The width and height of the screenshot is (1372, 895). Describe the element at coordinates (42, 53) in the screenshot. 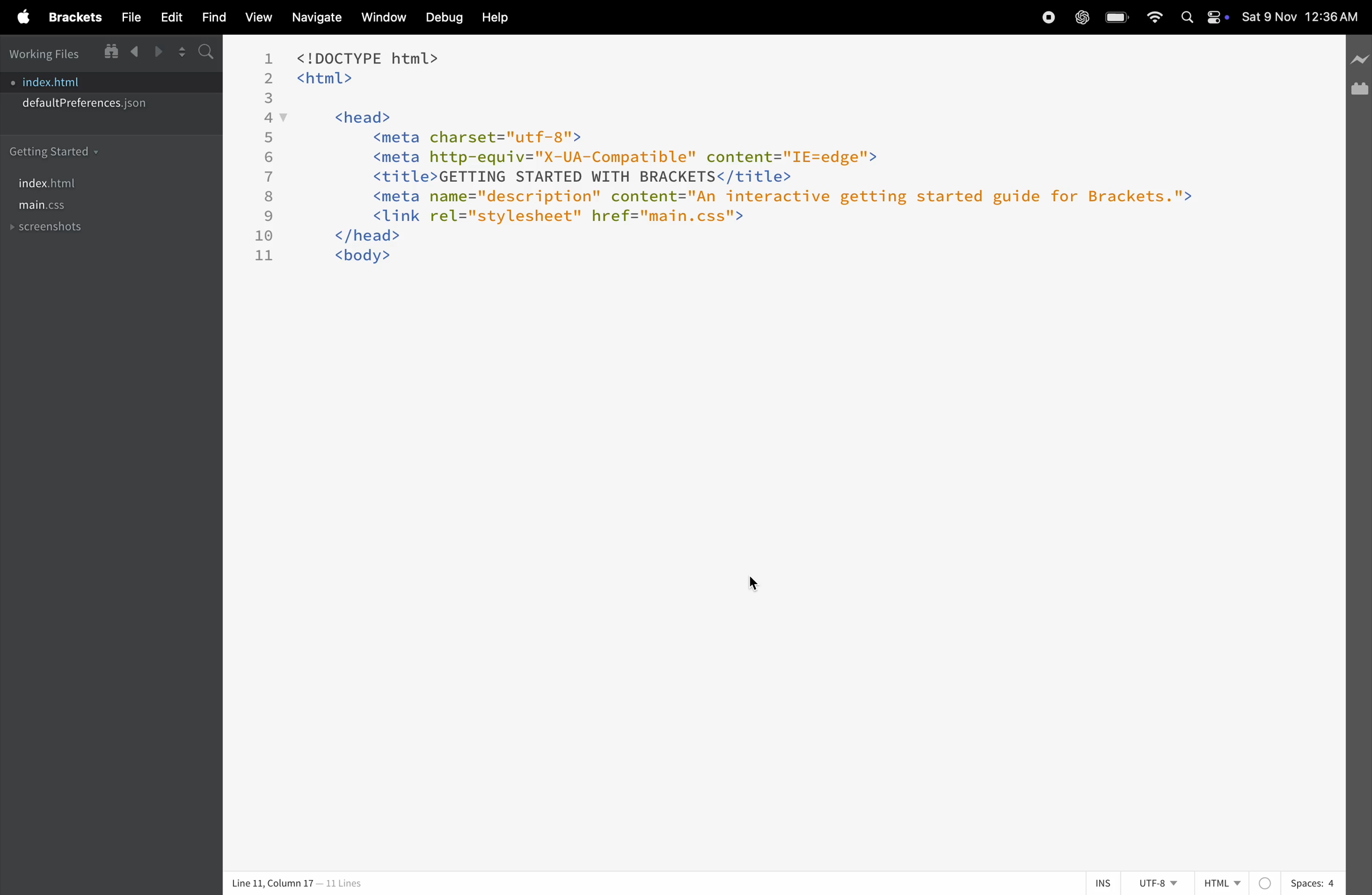

I see `working files` at that location.